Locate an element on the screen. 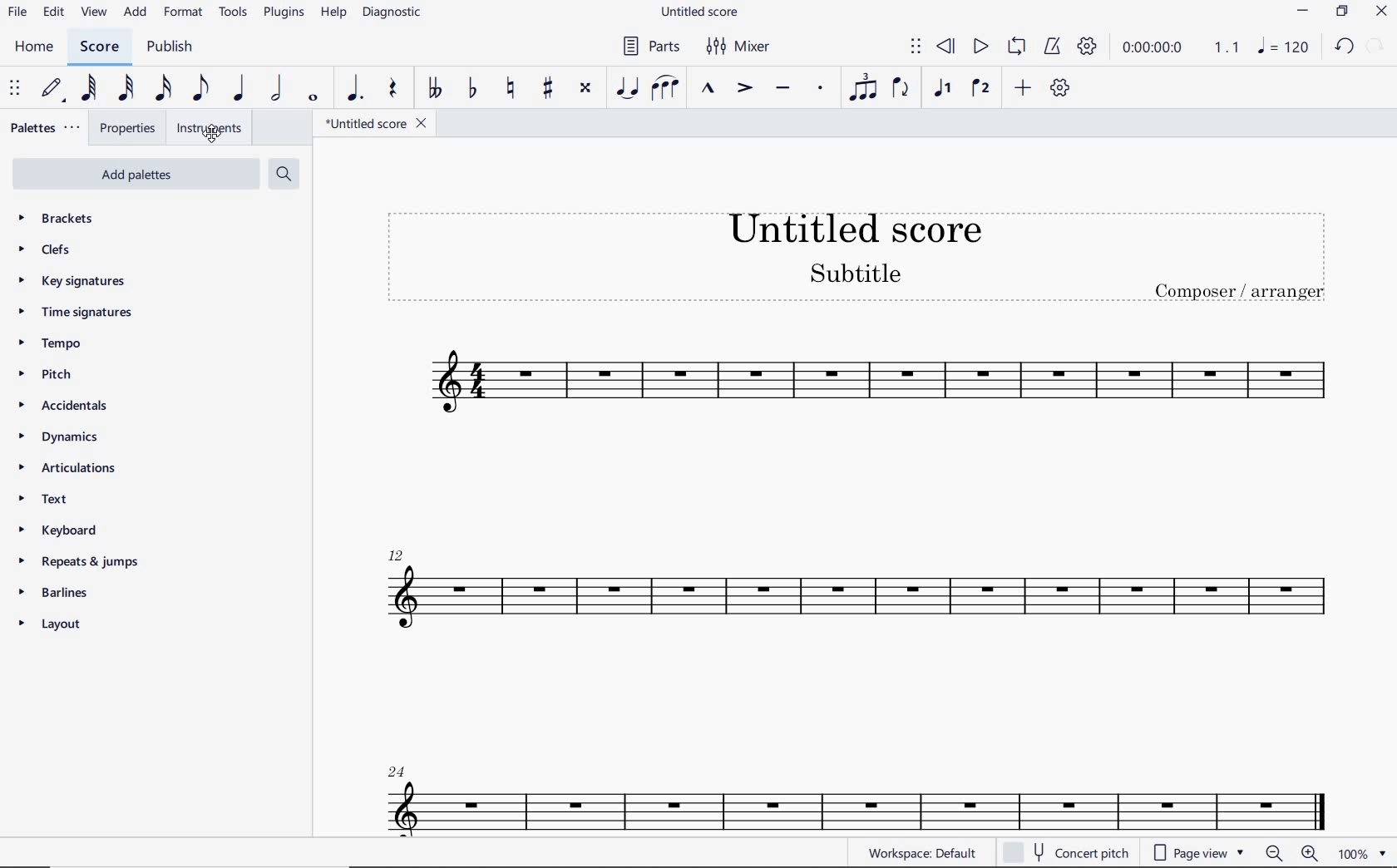  TOGGLE NATURAL is located at coordinates (510, 89).